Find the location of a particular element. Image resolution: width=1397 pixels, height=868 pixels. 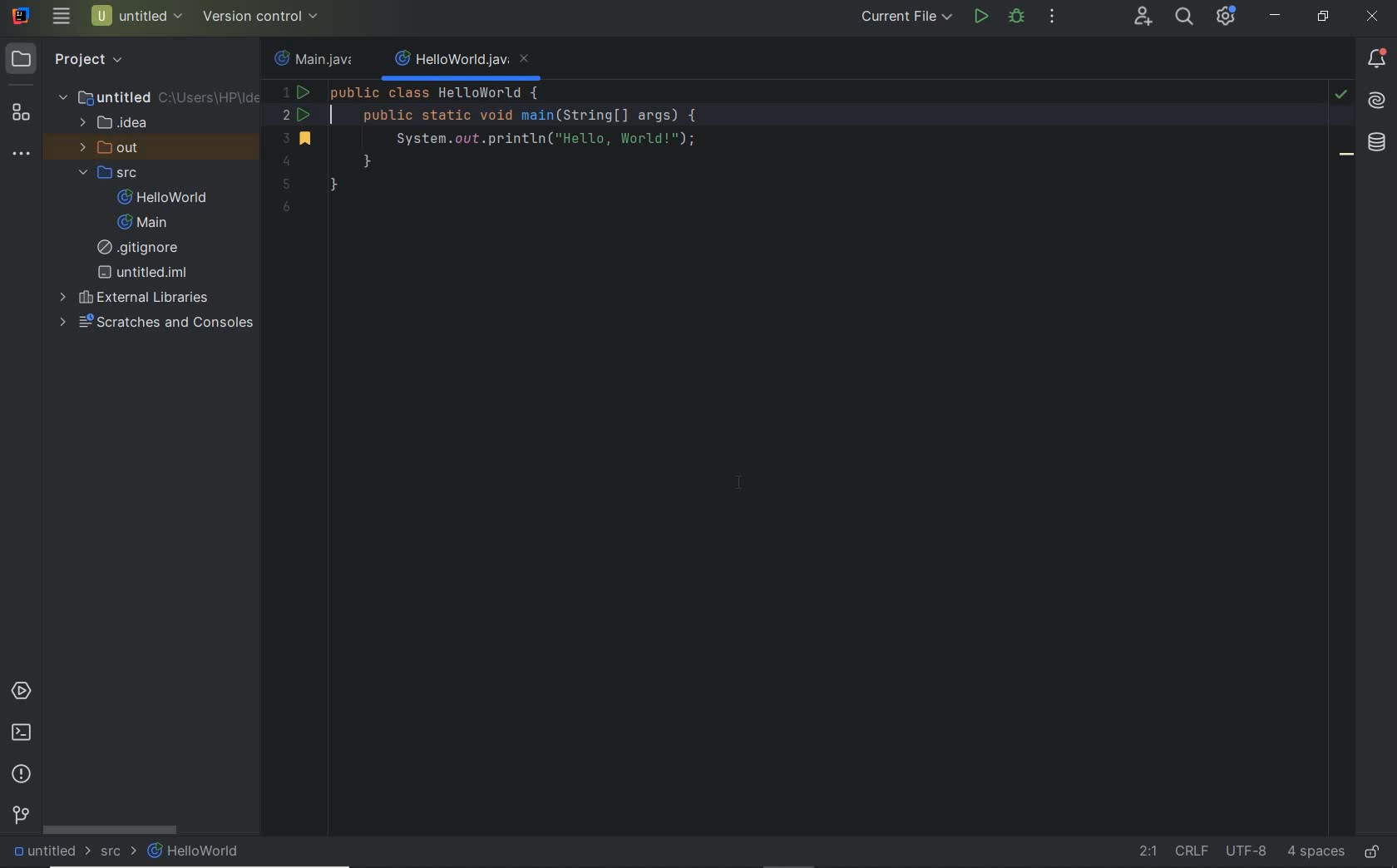

idea is located at coordinates (116, 121).